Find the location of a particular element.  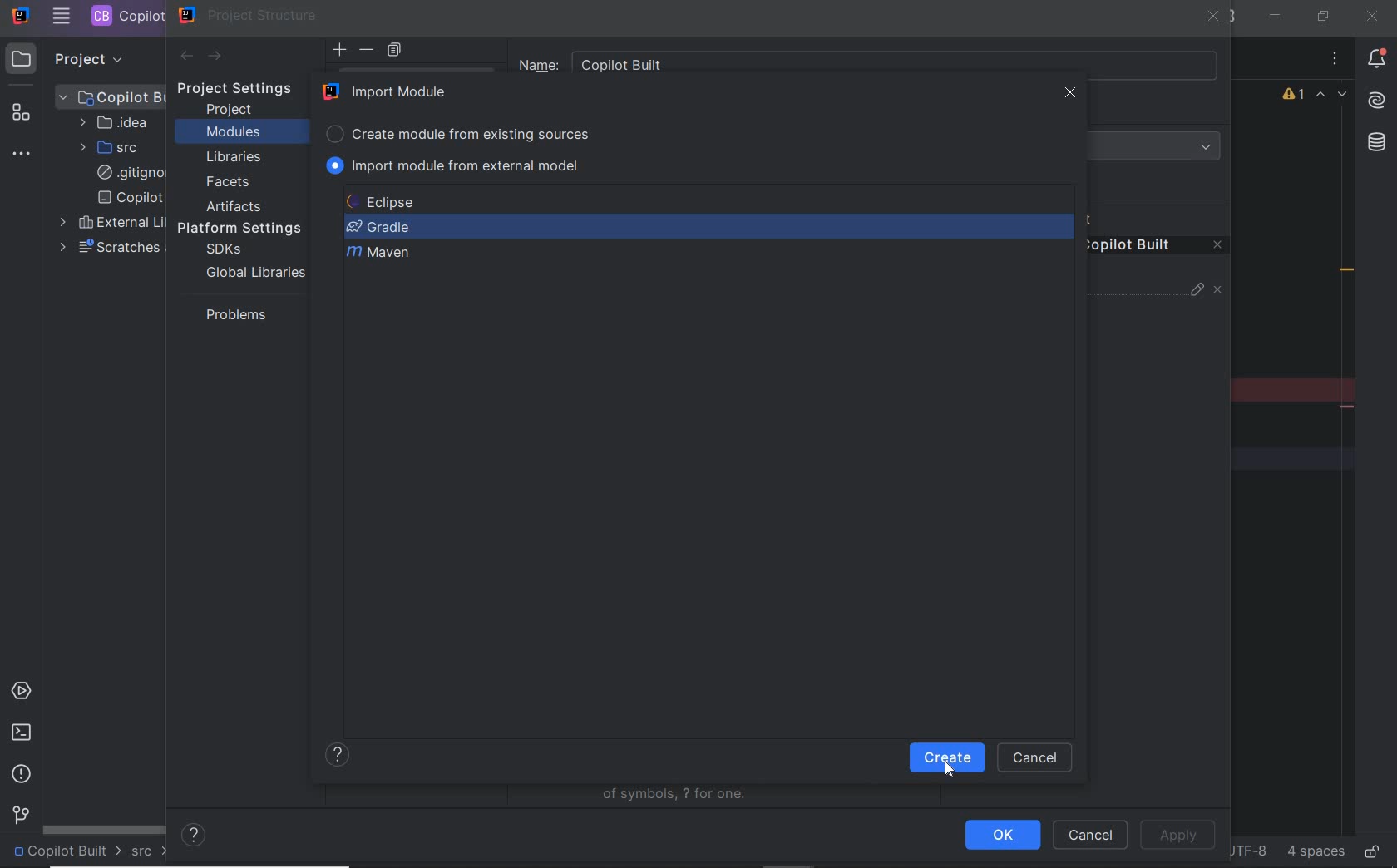

problems is located at coordinates (22, 774).